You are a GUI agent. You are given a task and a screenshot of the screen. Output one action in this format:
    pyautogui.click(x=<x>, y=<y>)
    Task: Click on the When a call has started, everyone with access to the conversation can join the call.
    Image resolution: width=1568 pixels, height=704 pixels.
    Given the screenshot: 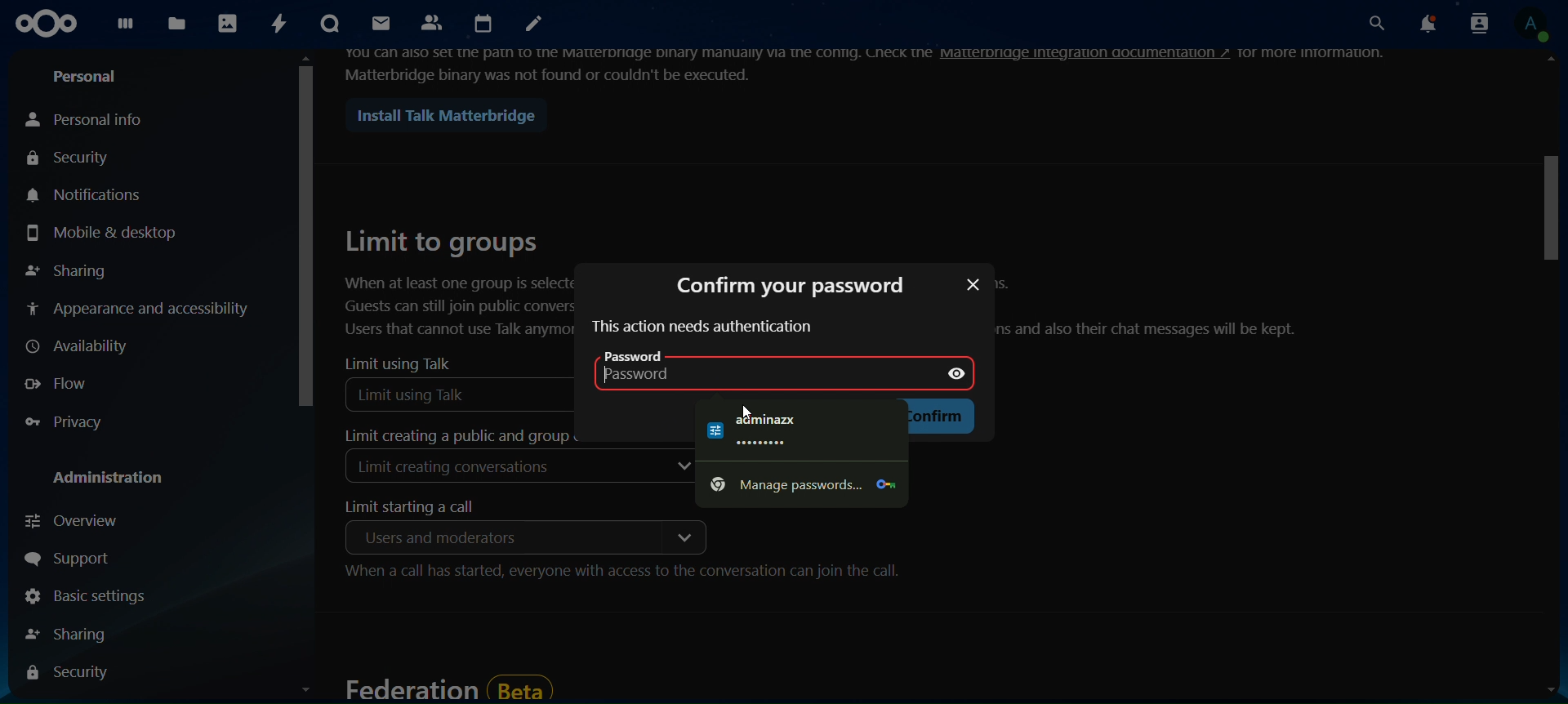 What is the action you would take?
    pyautogui.click(x=622, y=574)
    